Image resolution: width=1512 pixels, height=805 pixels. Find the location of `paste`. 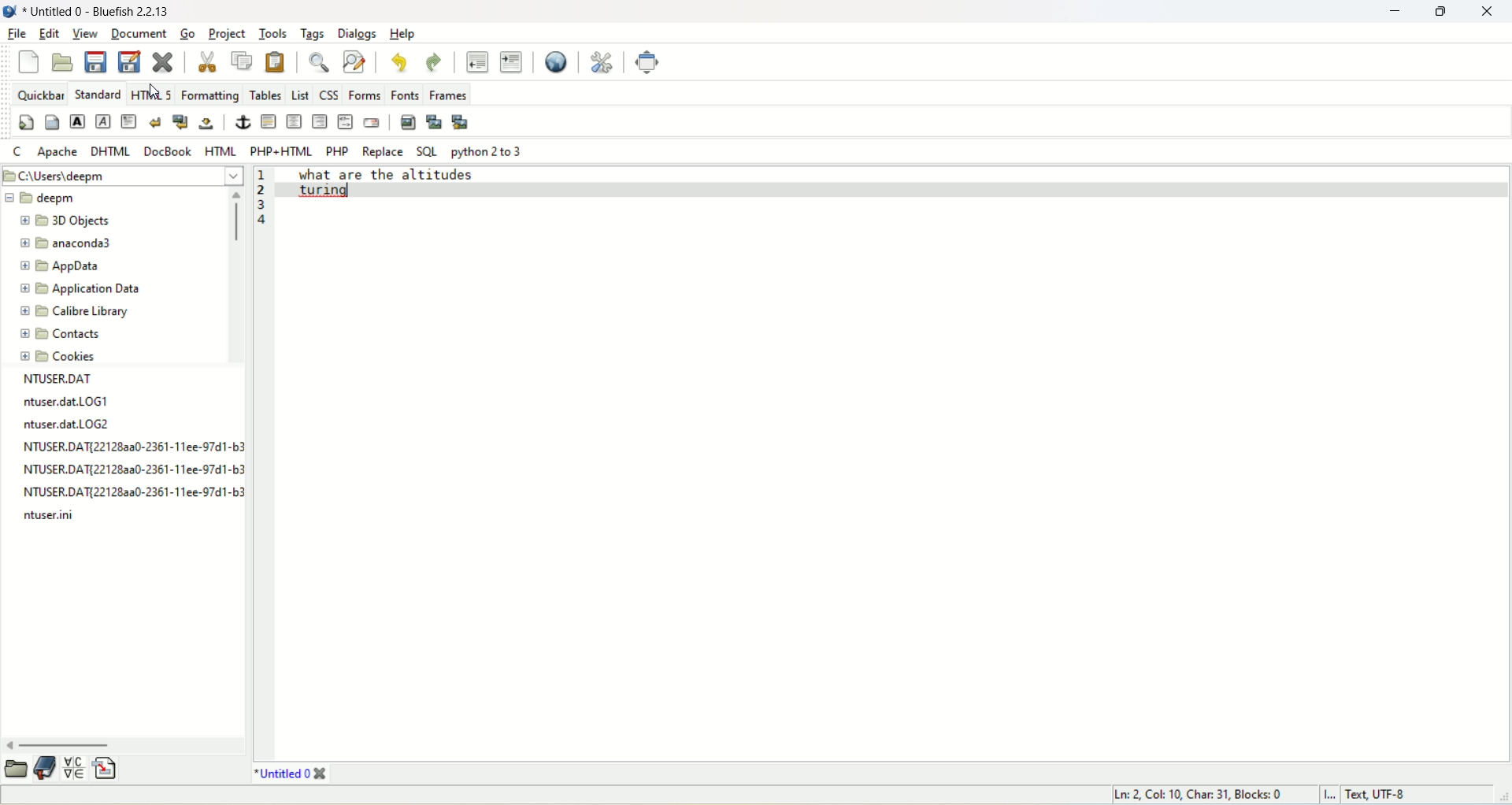

paste is located at coordinates (275, 61).